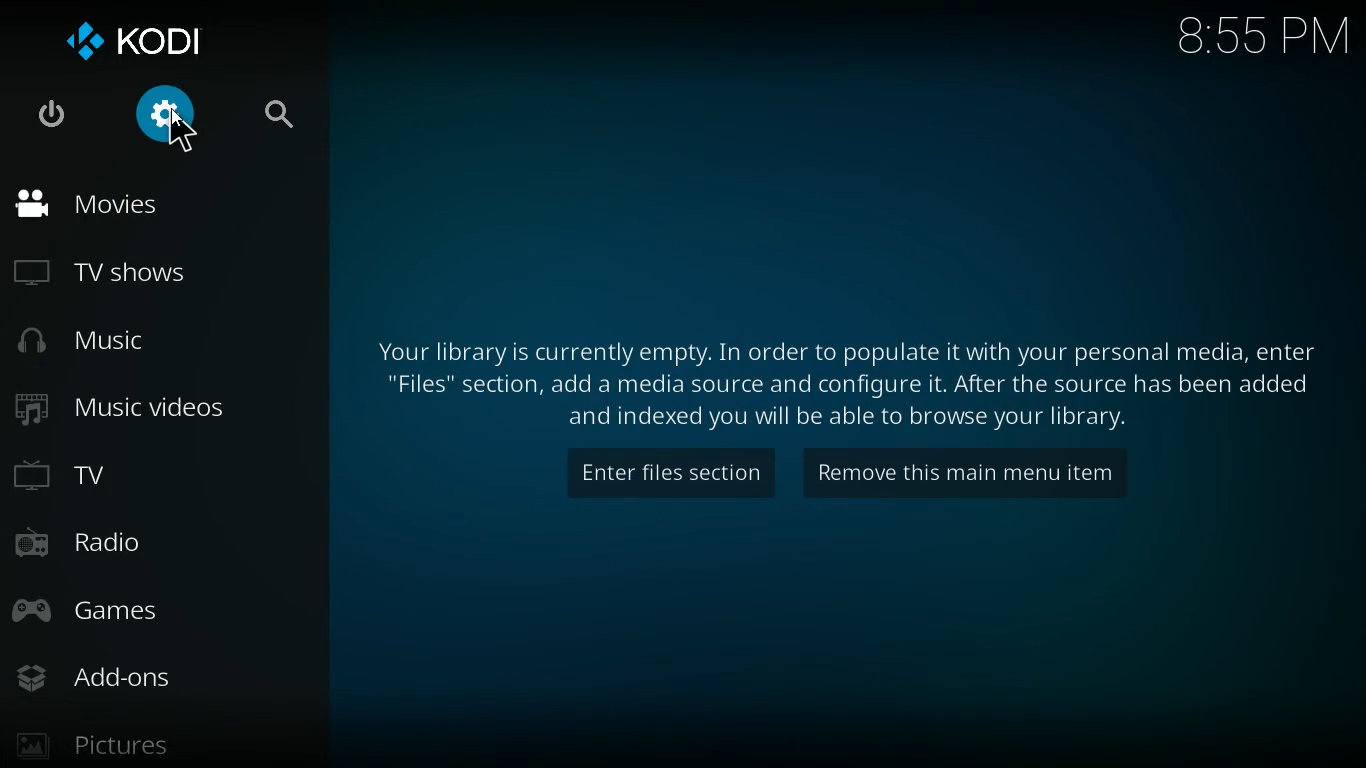 The width and height of the screenshot is (1366, 768). Describe the element at coordinates (1258, 39) in the screenshot. I see `time` at that location.